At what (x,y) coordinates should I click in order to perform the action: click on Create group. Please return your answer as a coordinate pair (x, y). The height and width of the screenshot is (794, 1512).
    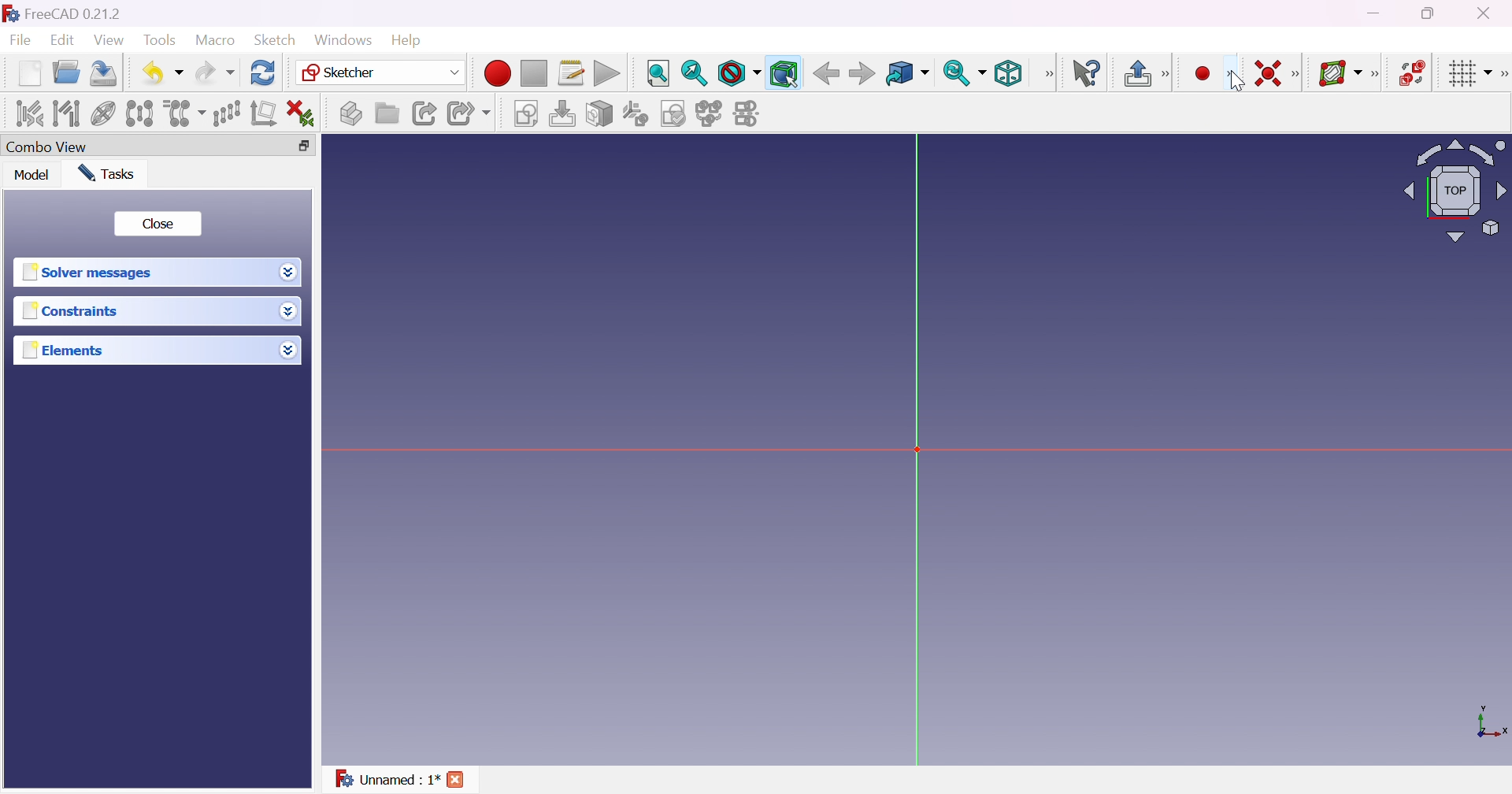
    Looking at the image, I should click on (387, 114).